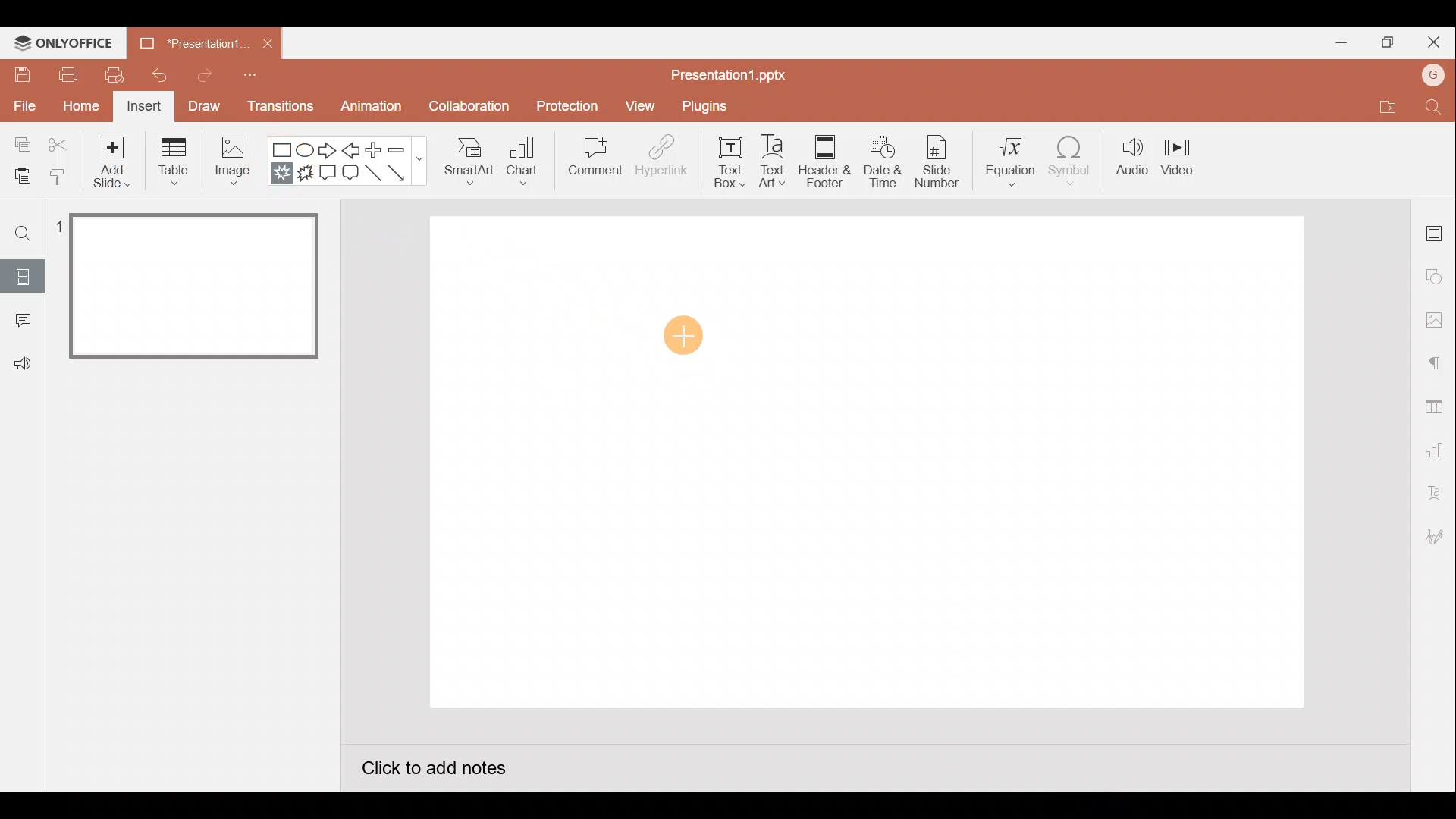 This screenshot has height=819, width=1456. What do you see at coordinates (199, 76) in the screenshot?
I see `Redo` at bounding box center [199, 76].